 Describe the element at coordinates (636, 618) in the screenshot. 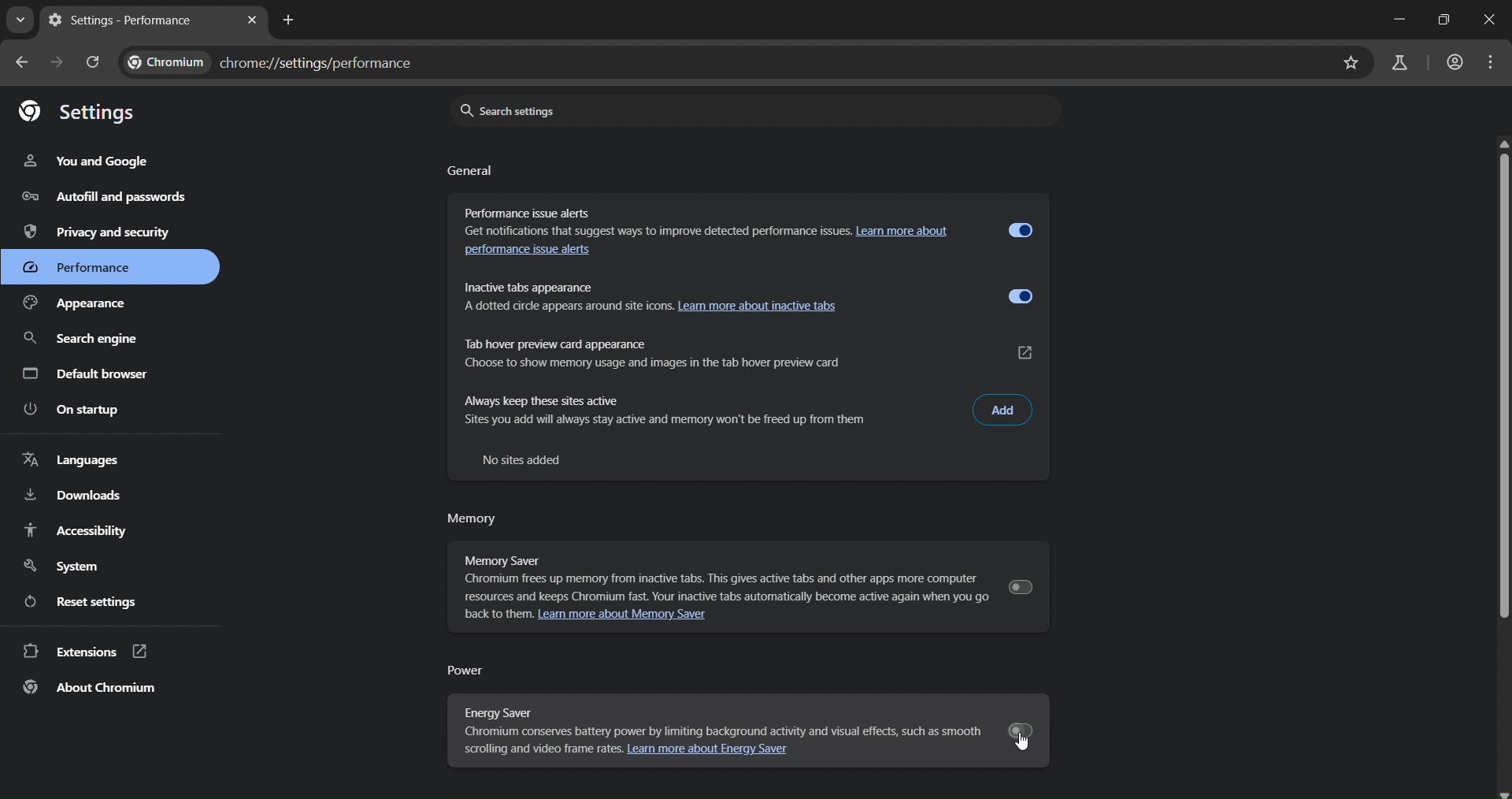

I see `learn more about memory saver` at that location.